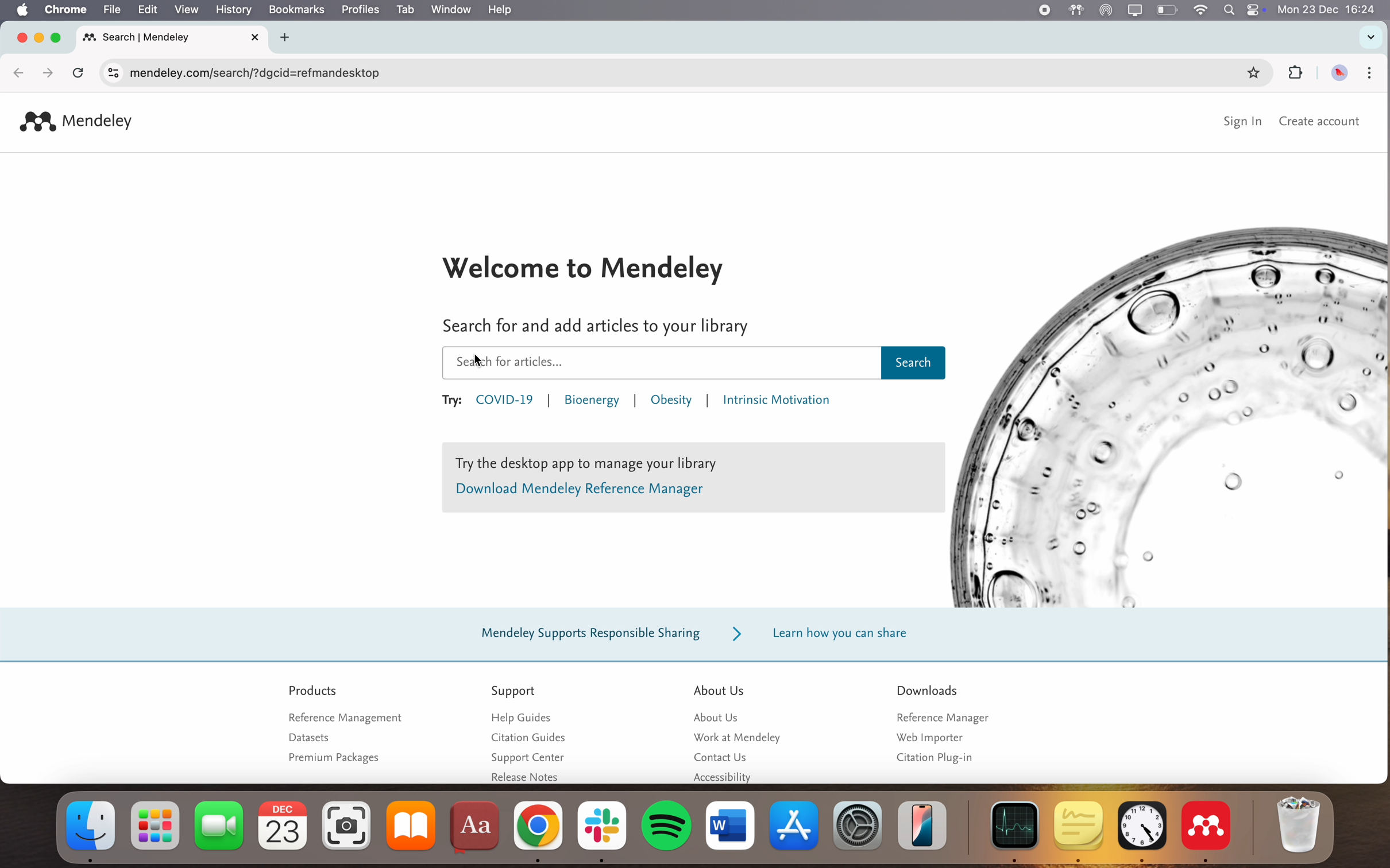 The width and height of the screenshot is (1390, 868). I want to click on create account, so click(1320, 123).